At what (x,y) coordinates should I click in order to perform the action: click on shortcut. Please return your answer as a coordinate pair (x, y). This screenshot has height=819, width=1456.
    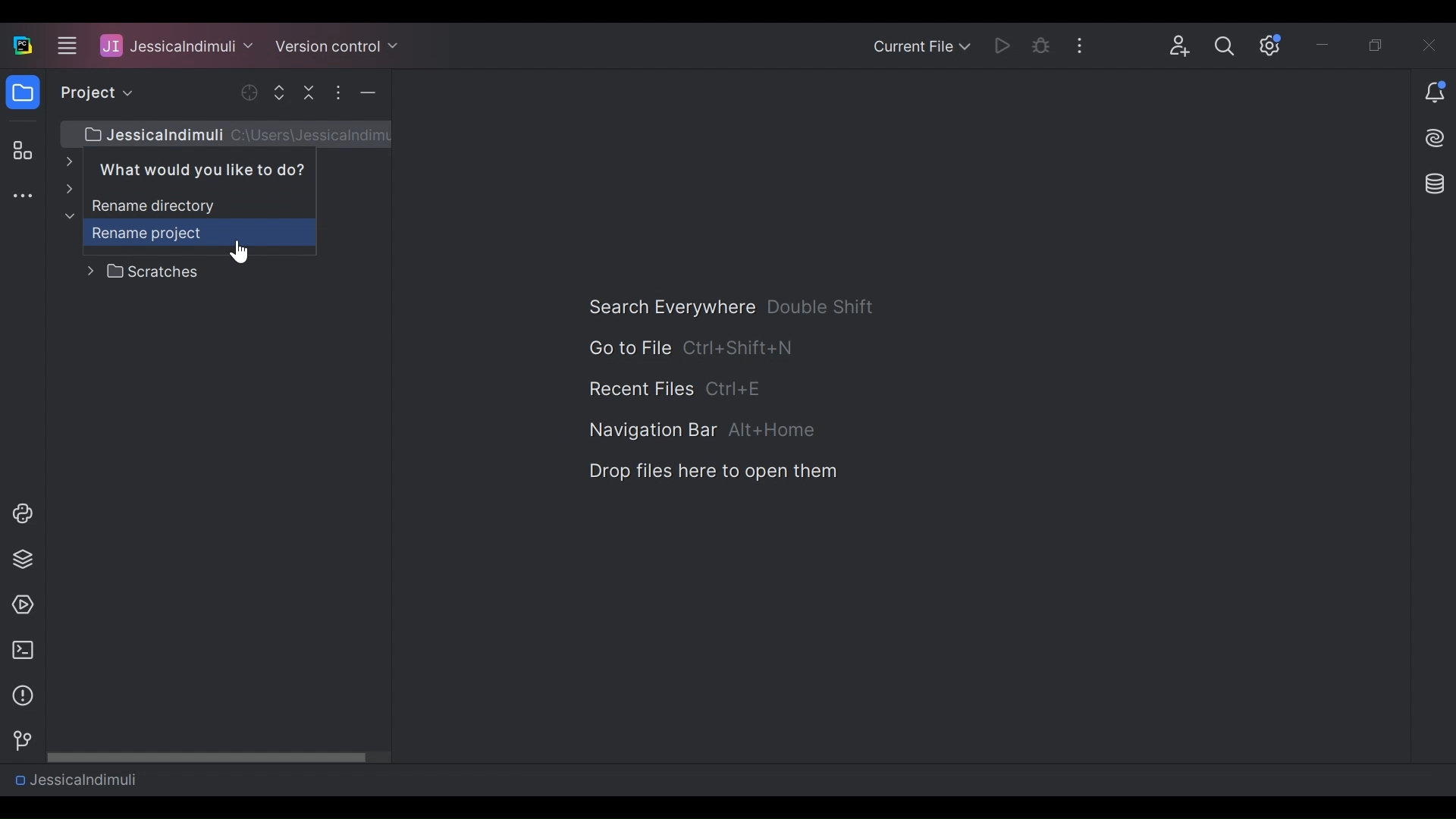
    Looking at the image, I should click on (773, 431).